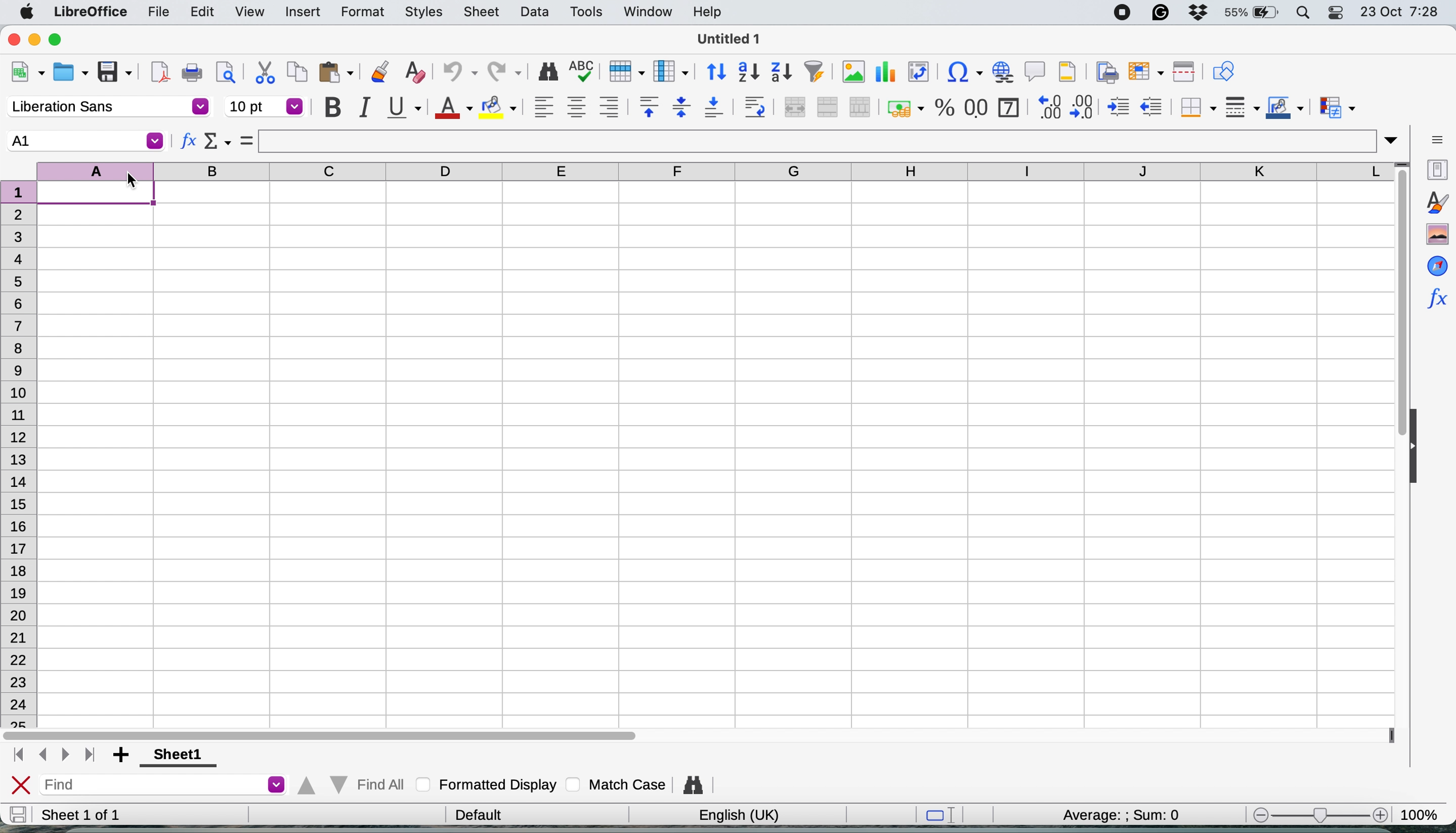 This screenshot has height=833, width=1456. I want to click on decrease indent, so click(1153, 106).